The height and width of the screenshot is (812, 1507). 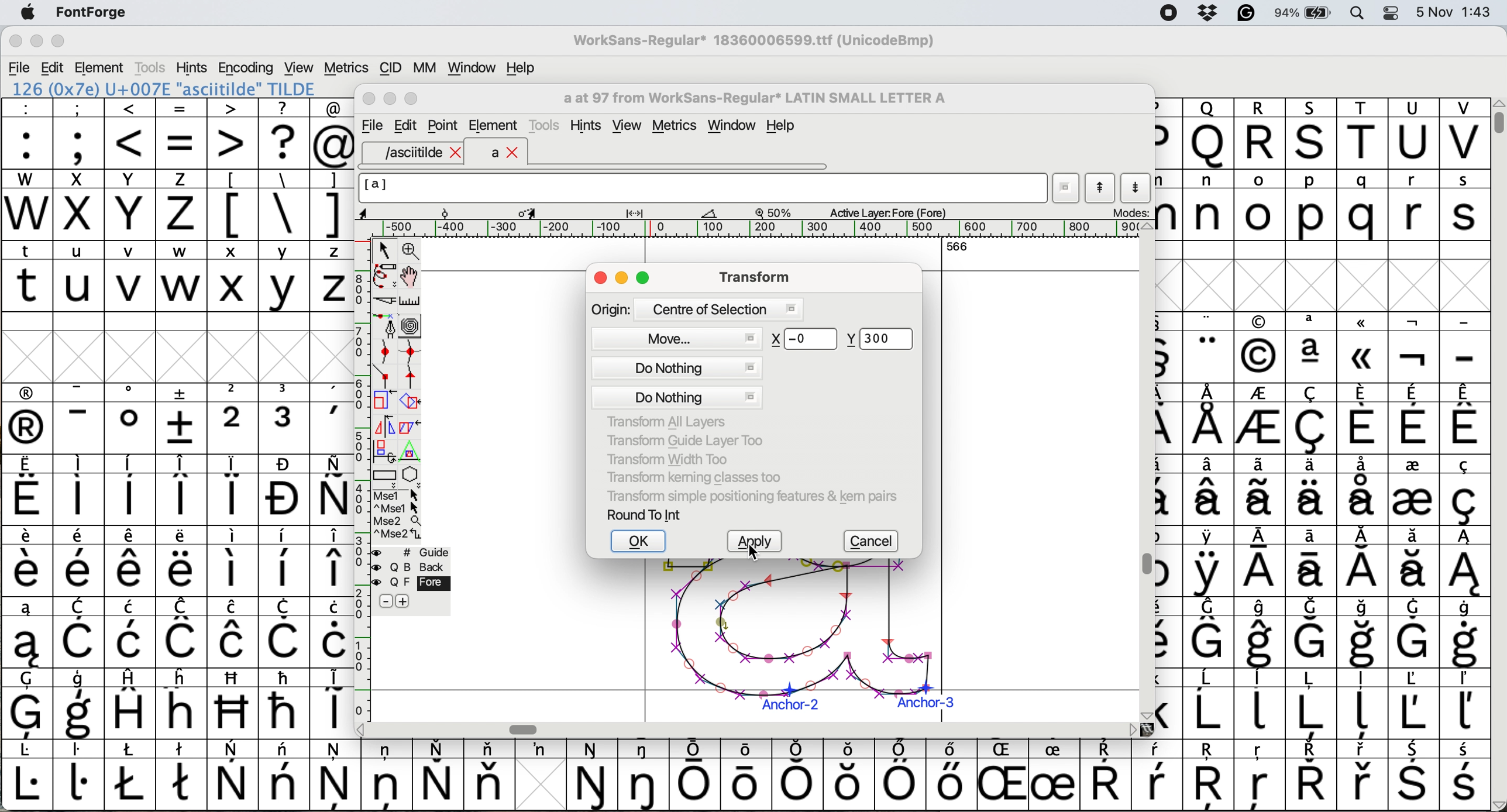 I want to click on system logo, so click(x=27, y=13).